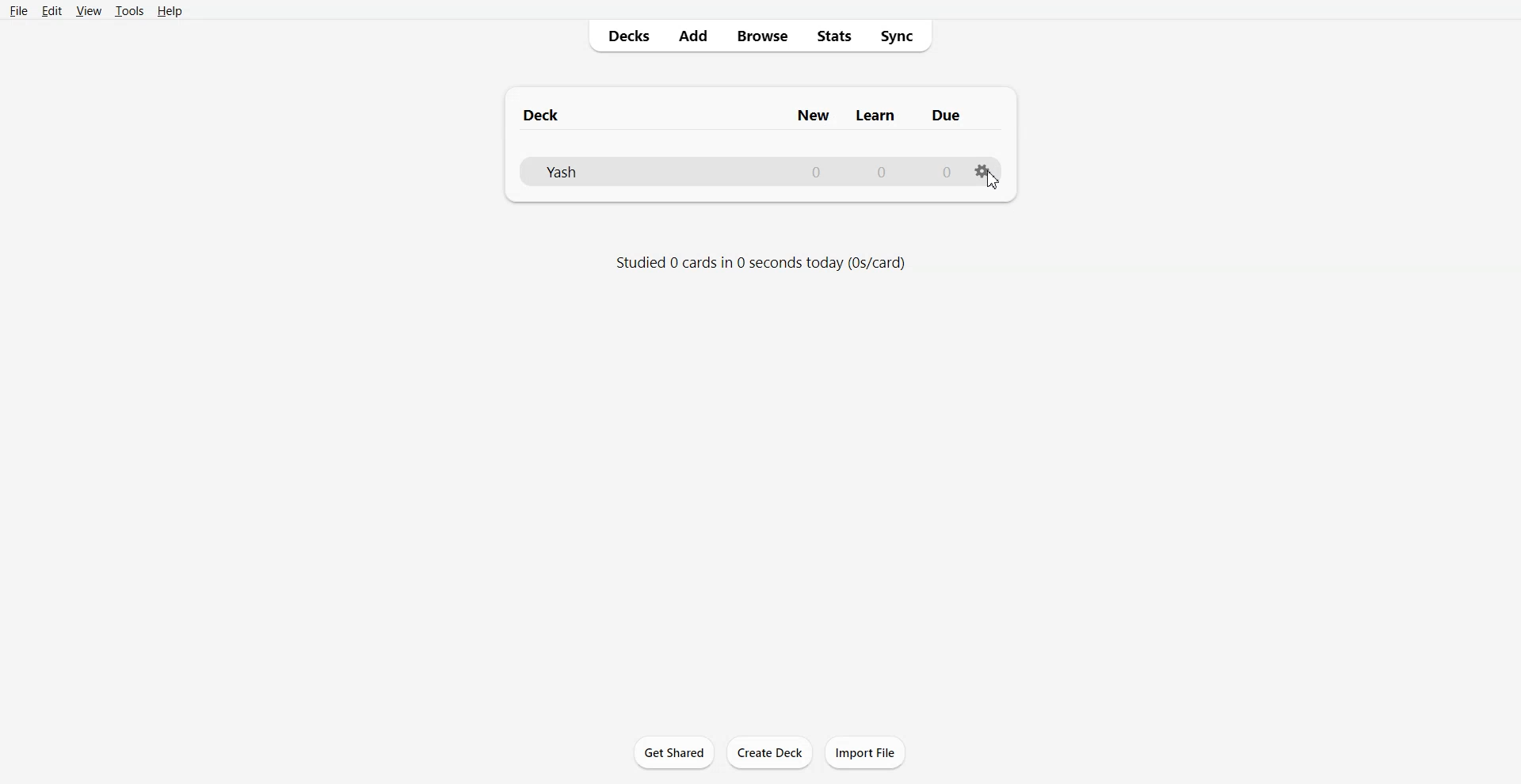  What do you see at coordinates (128, 12) in the screenshot?
I see `Tools` at bounding box center [128, 12].